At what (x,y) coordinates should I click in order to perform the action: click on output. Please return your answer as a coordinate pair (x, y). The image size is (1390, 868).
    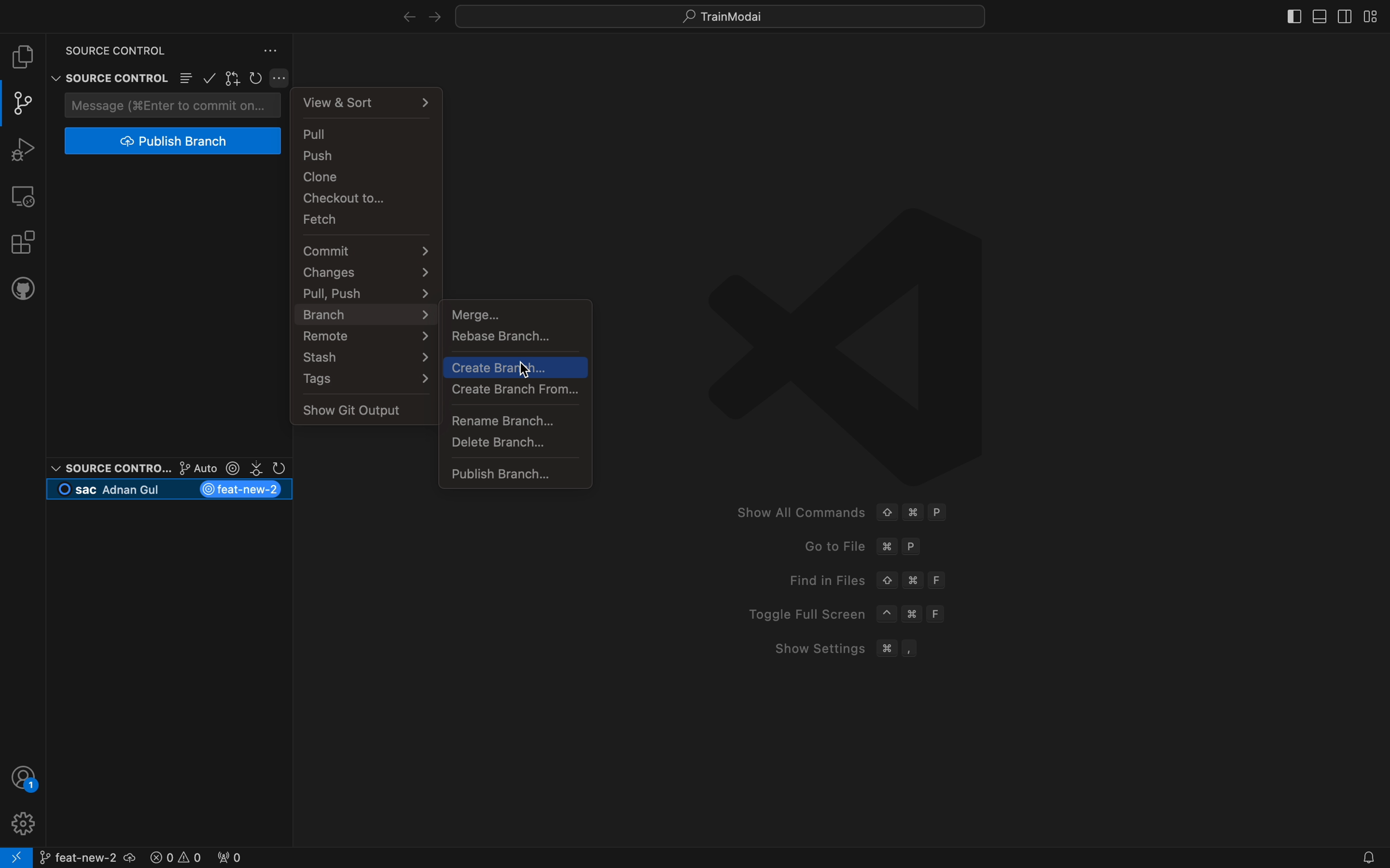
    Looking at the image, I should click on (364, 410).